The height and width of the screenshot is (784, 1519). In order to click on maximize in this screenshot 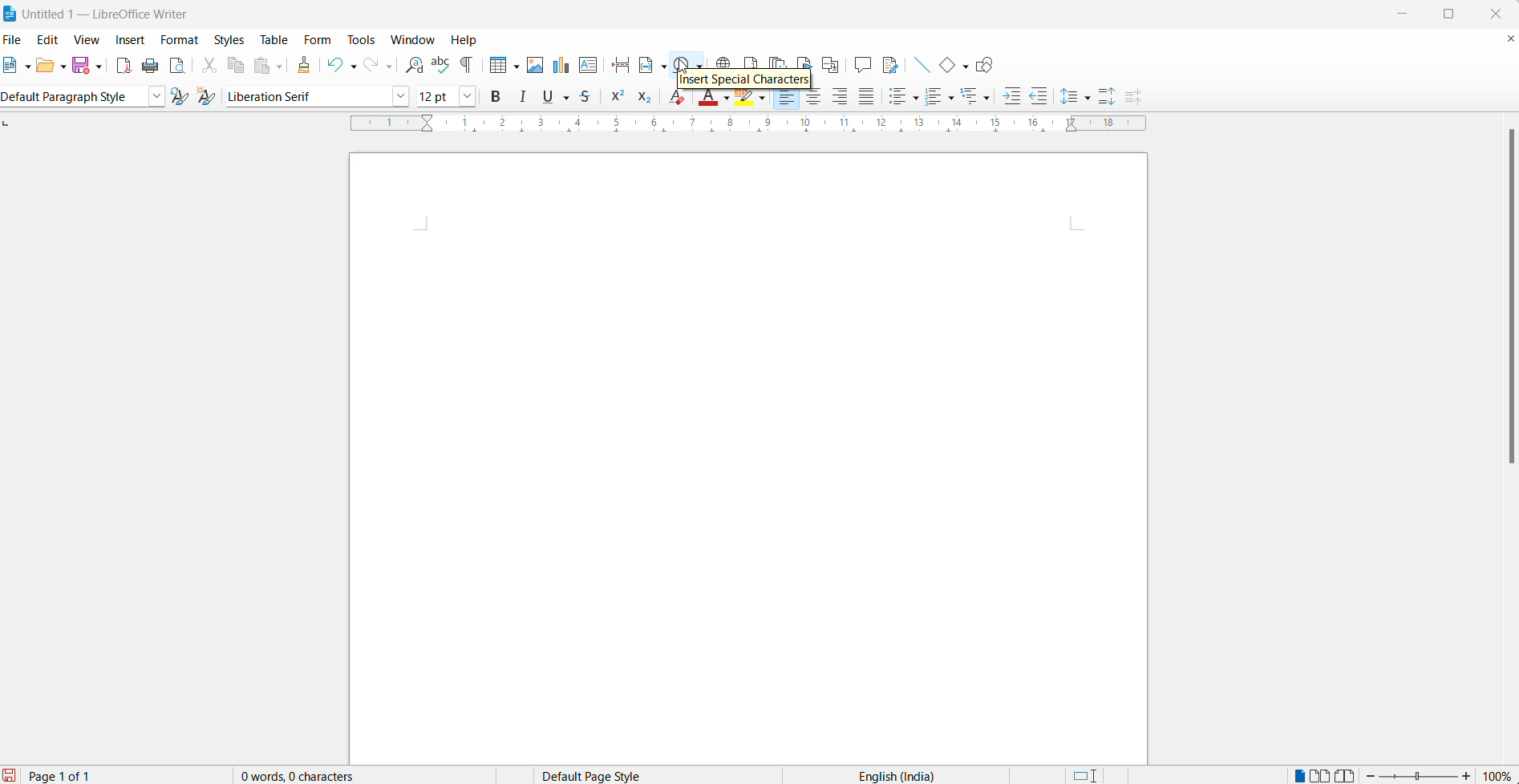, I will do `click(1456, 12)`.